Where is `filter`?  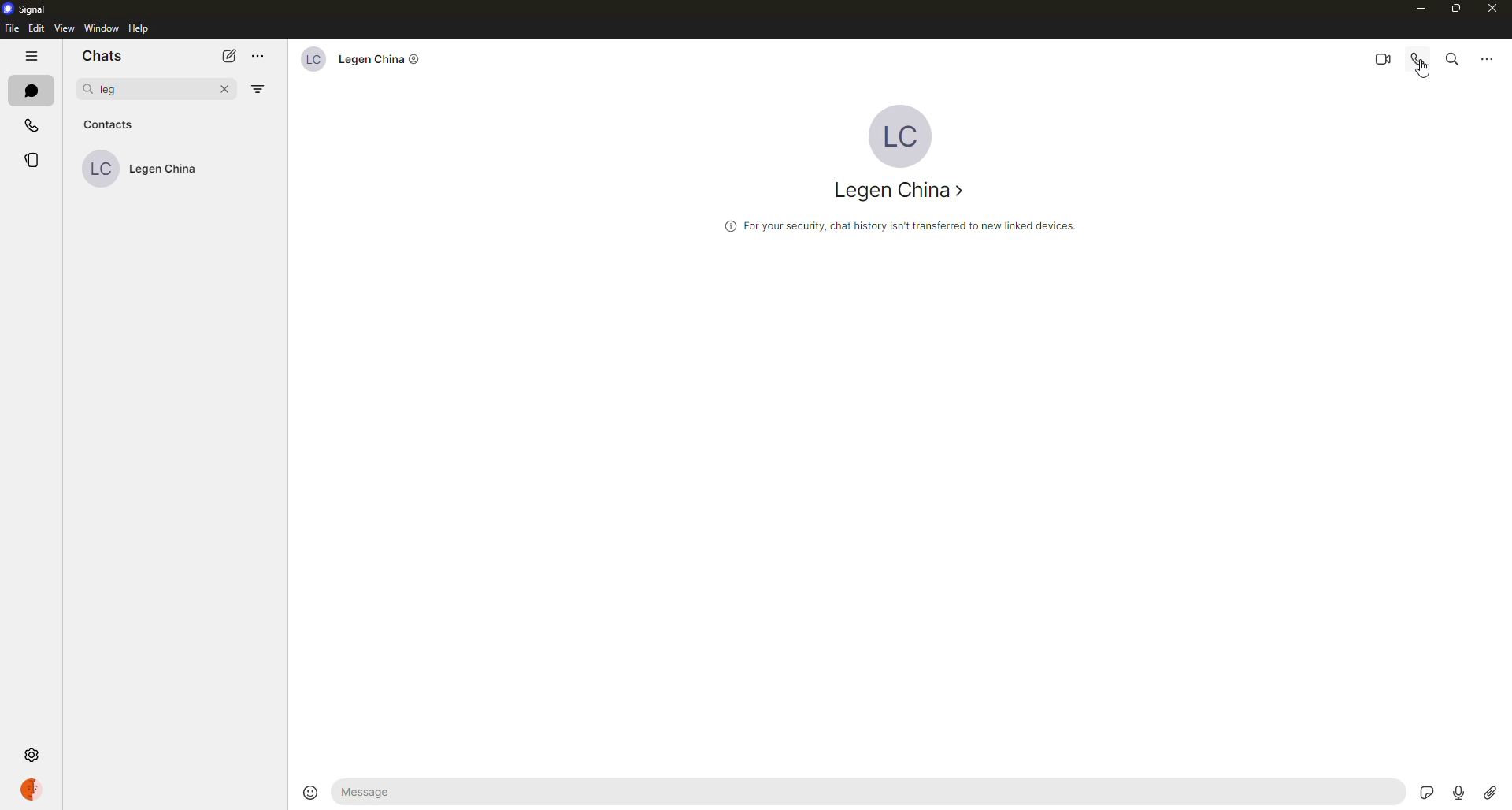
filter is located at coordinates (258, 91).